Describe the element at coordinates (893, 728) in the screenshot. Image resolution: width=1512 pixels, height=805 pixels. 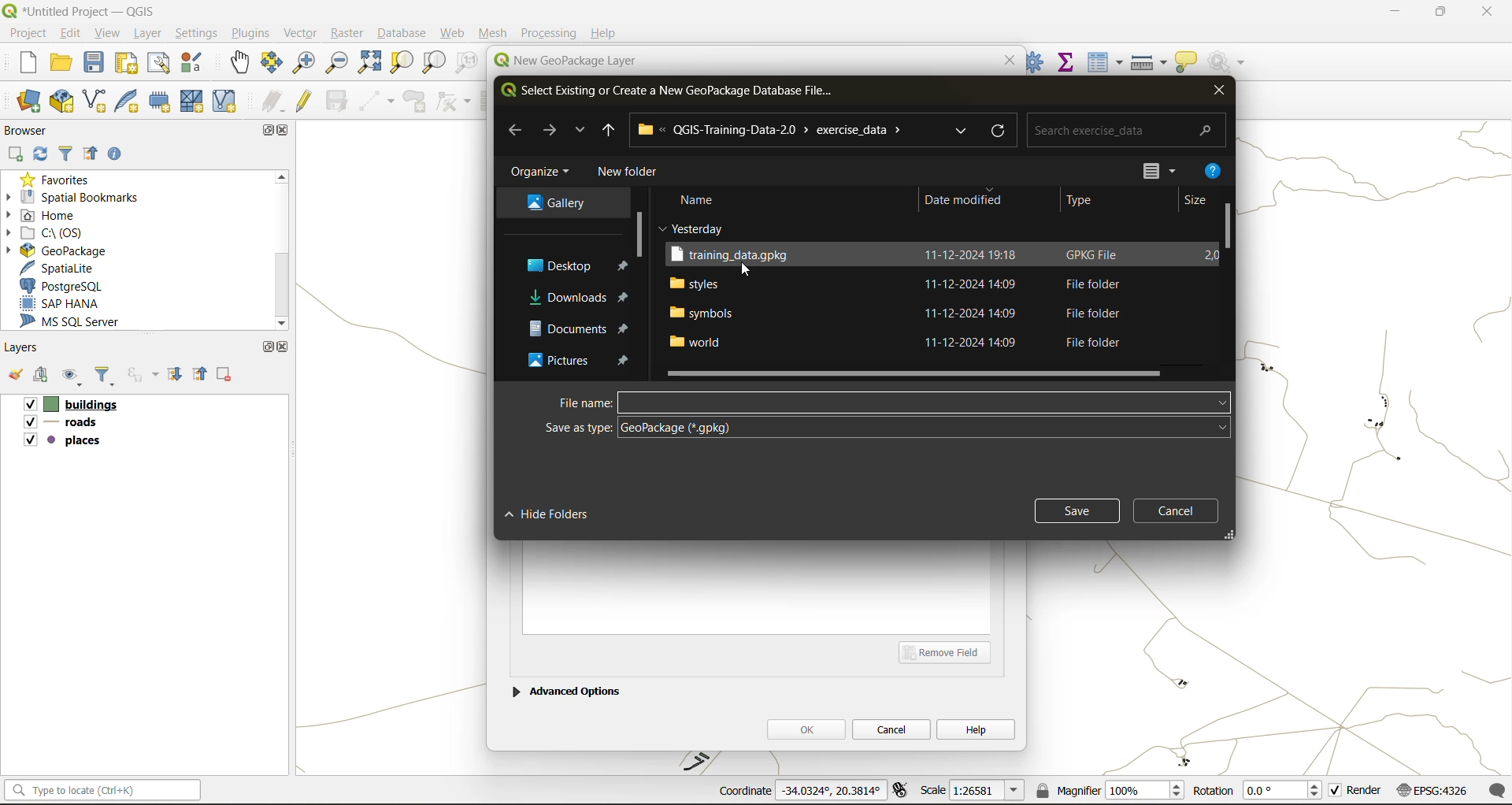
I see `cancel` at that location.